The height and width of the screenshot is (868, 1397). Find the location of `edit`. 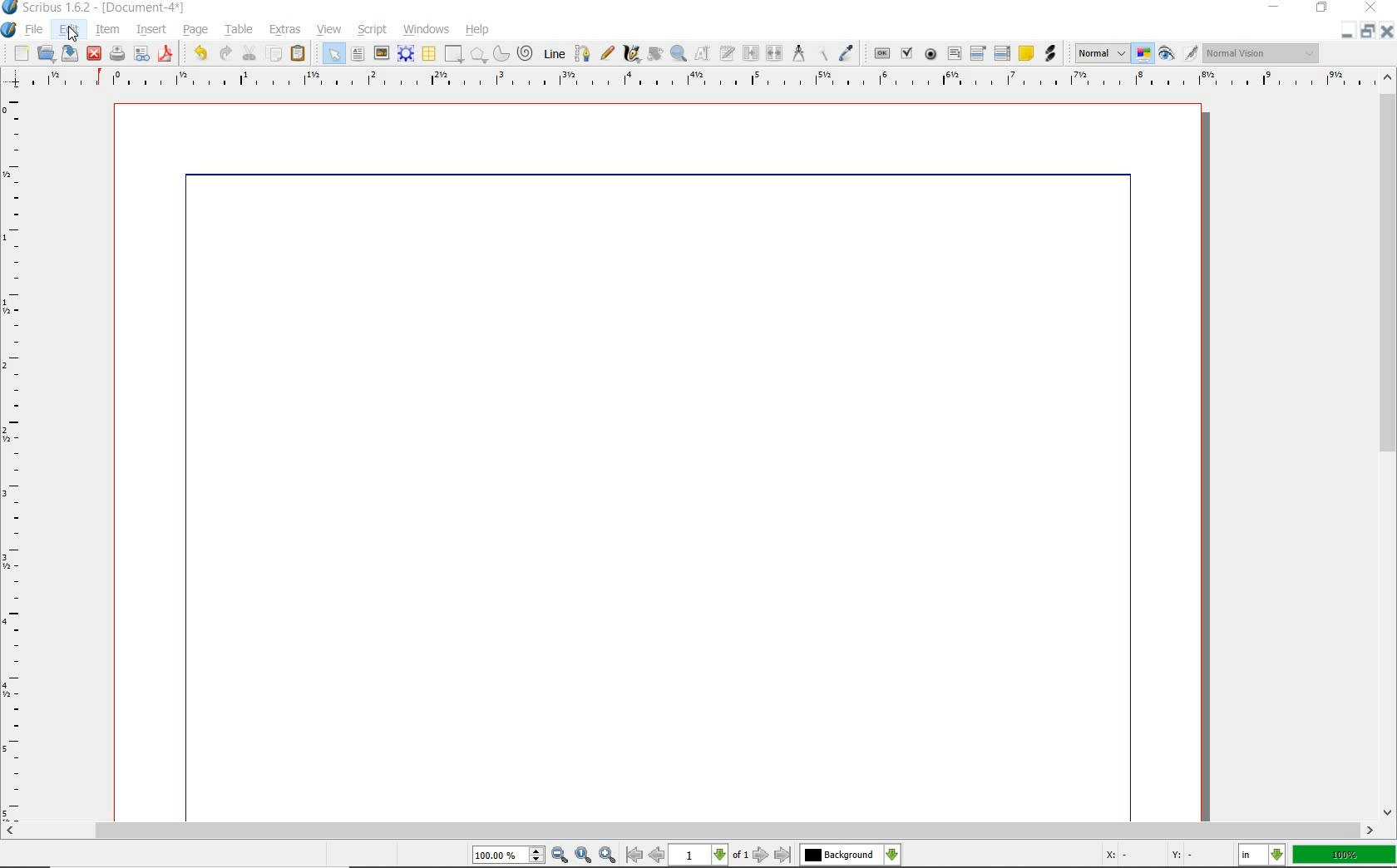

edit is located at coordinates (67, 31).